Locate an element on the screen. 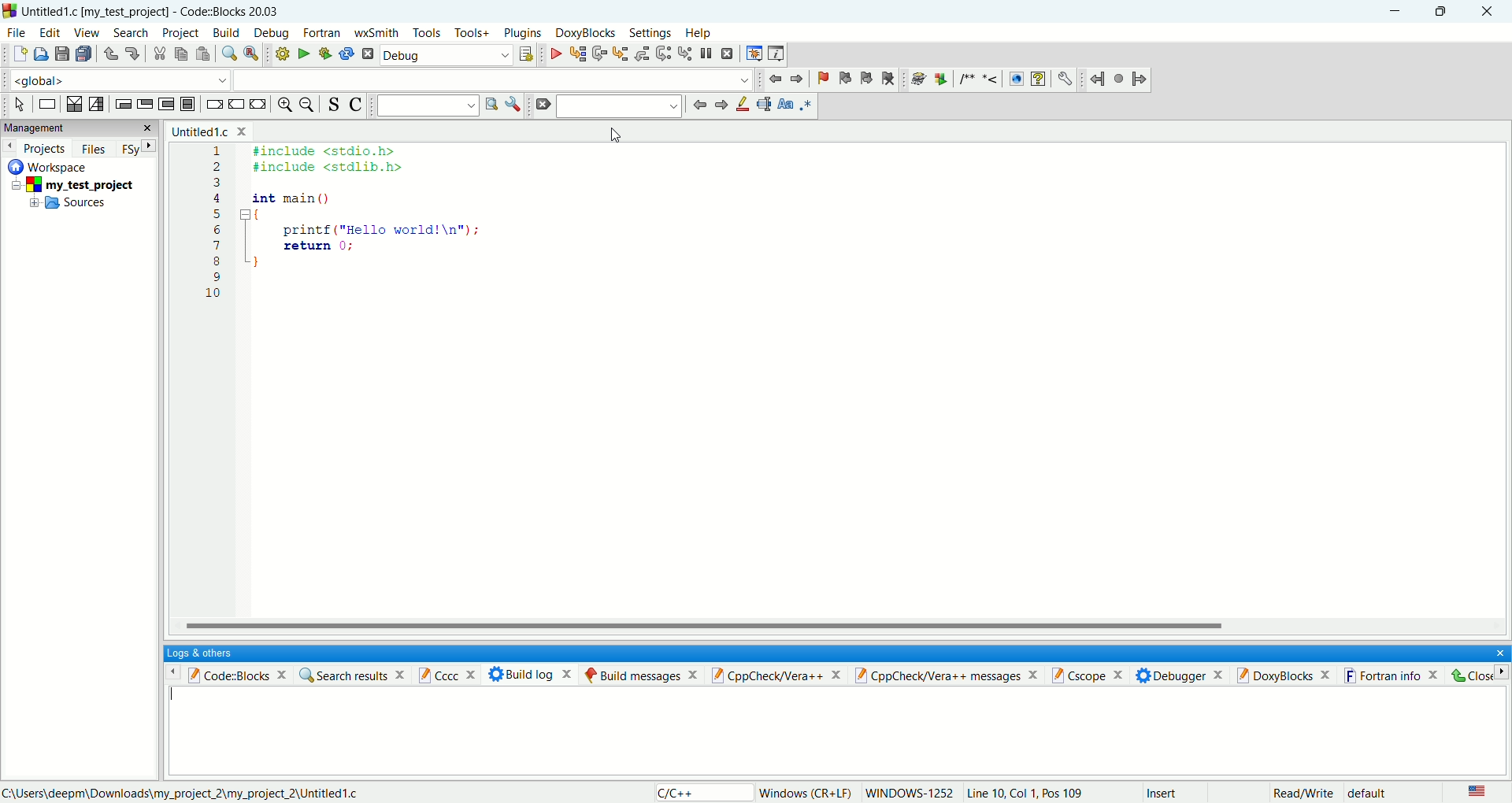 Image resolution: width=1512 pixels, height=803 pixels. maximize is located at coordinates (1442, 10).